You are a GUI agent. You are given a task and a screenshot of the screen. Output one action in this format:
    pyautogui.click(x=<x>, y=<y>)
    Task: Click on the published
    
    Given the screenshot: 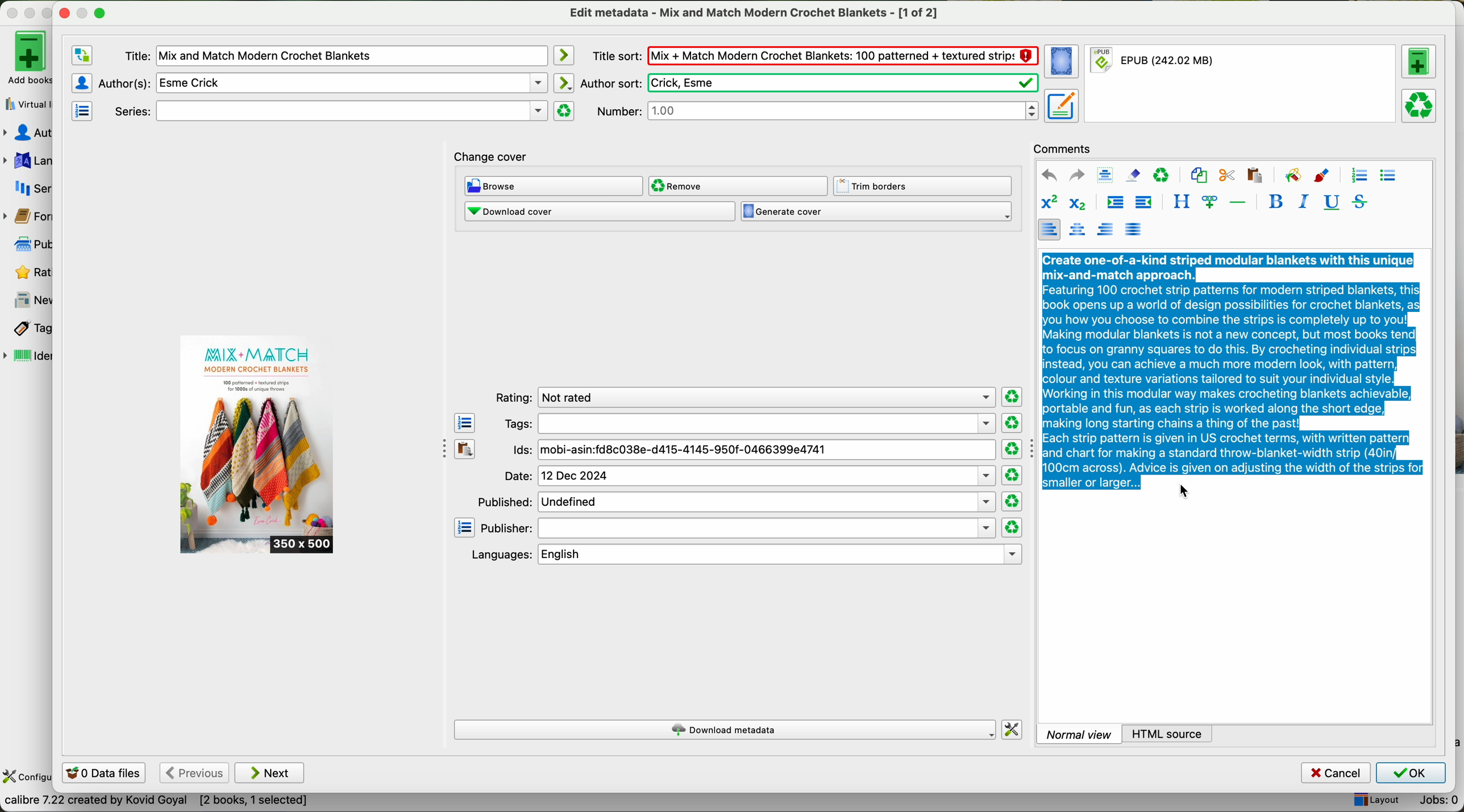 What is the action you would take?
    pyautogui.click(x=735, y=501)
    